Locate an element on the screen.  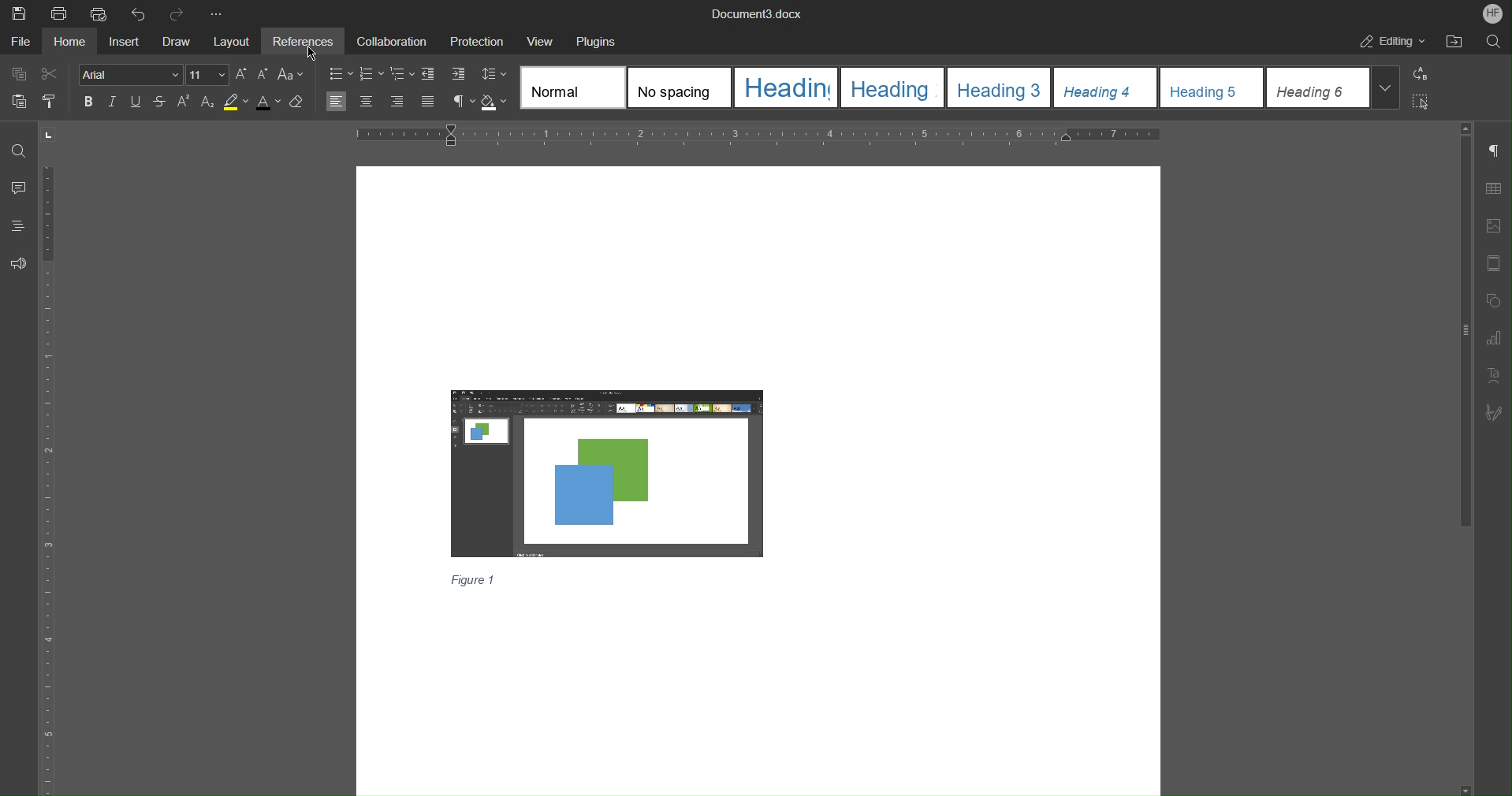
 is located at coordinates (1000, 87).